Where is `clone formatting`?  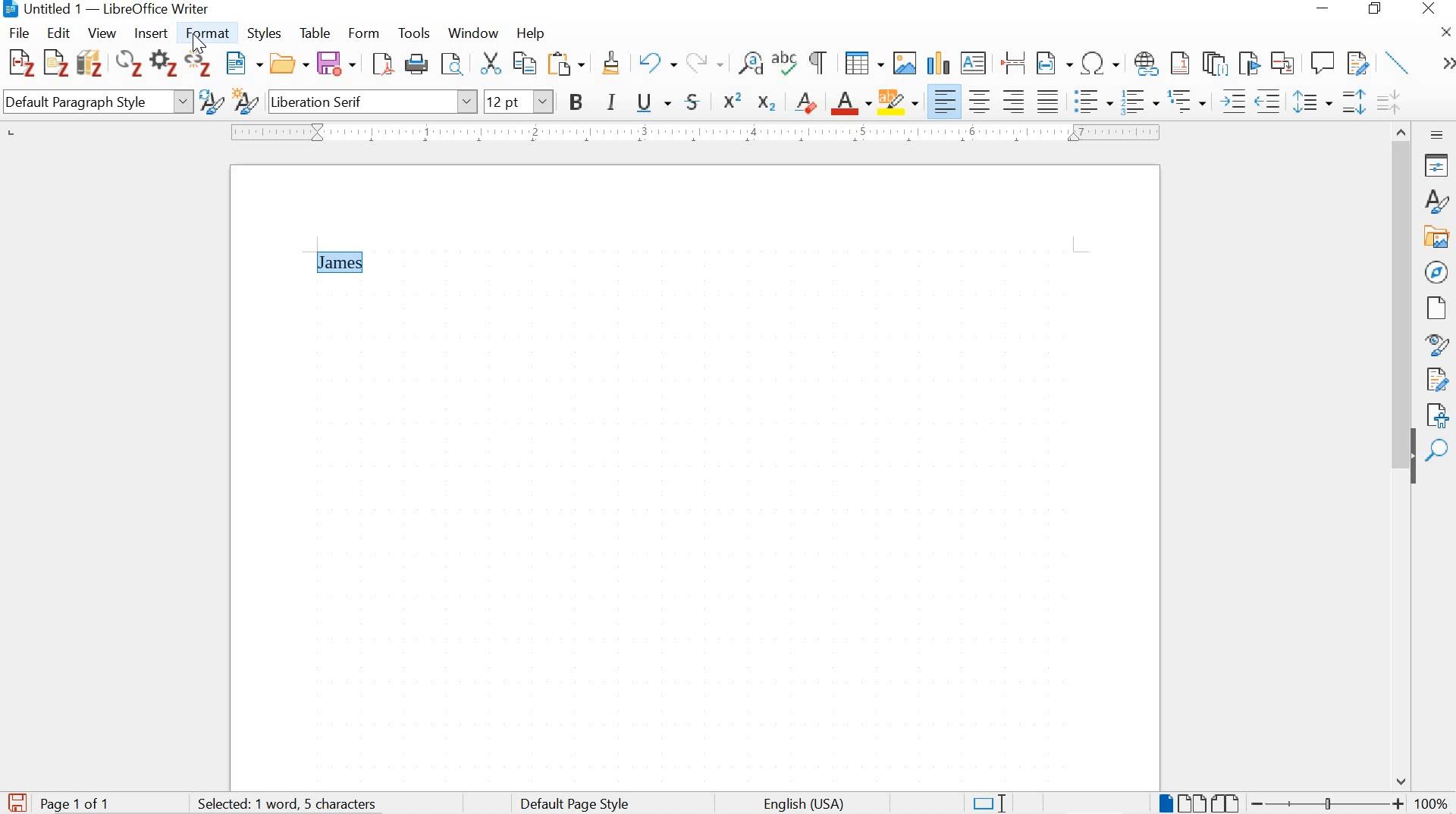
clone formatting is located at coordinates (613, 65).